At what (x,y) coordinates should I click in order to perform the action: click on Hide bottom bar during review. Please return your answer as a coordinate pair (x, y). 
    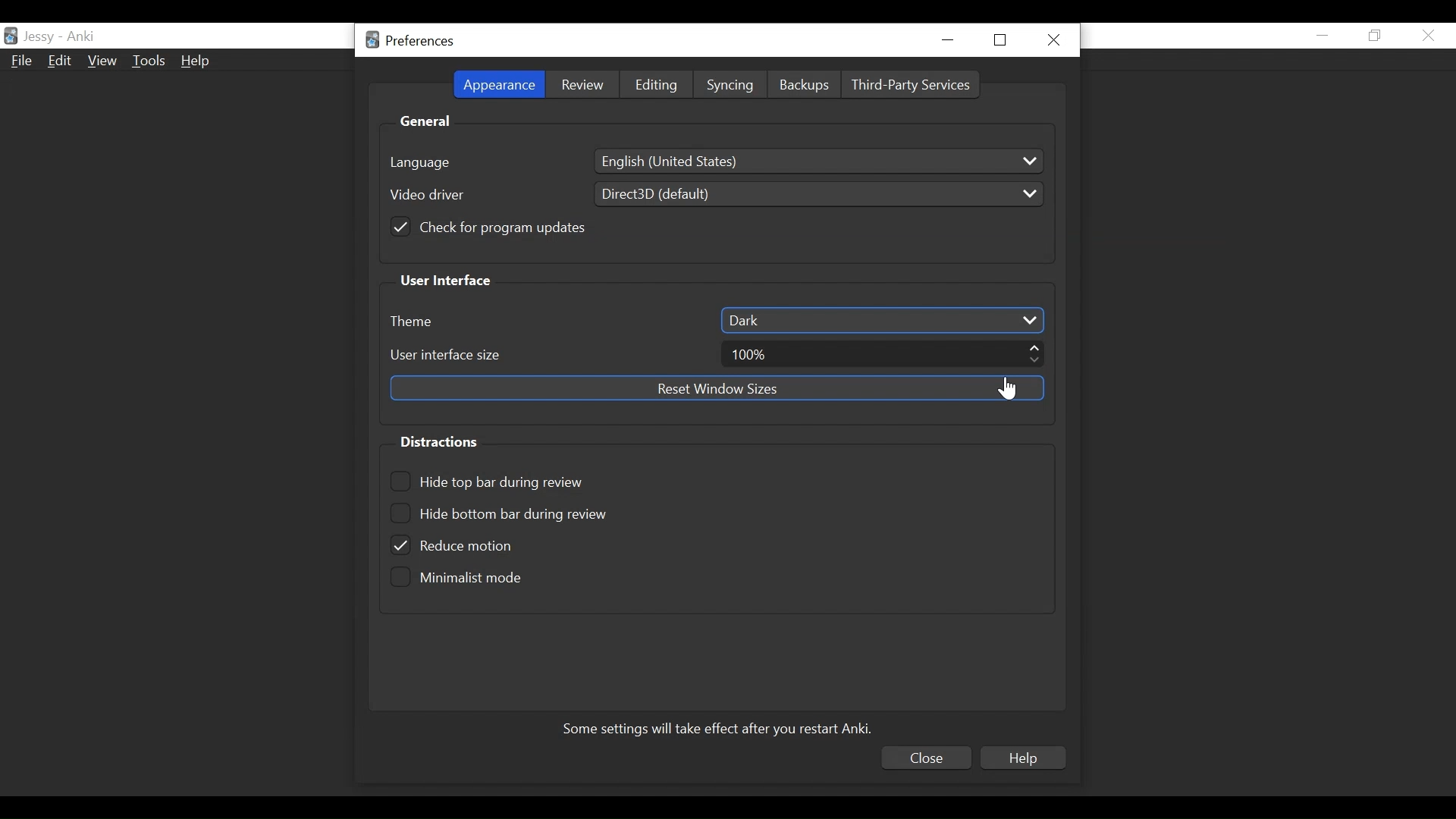
    Looking at the image, I should click on (501, 515).